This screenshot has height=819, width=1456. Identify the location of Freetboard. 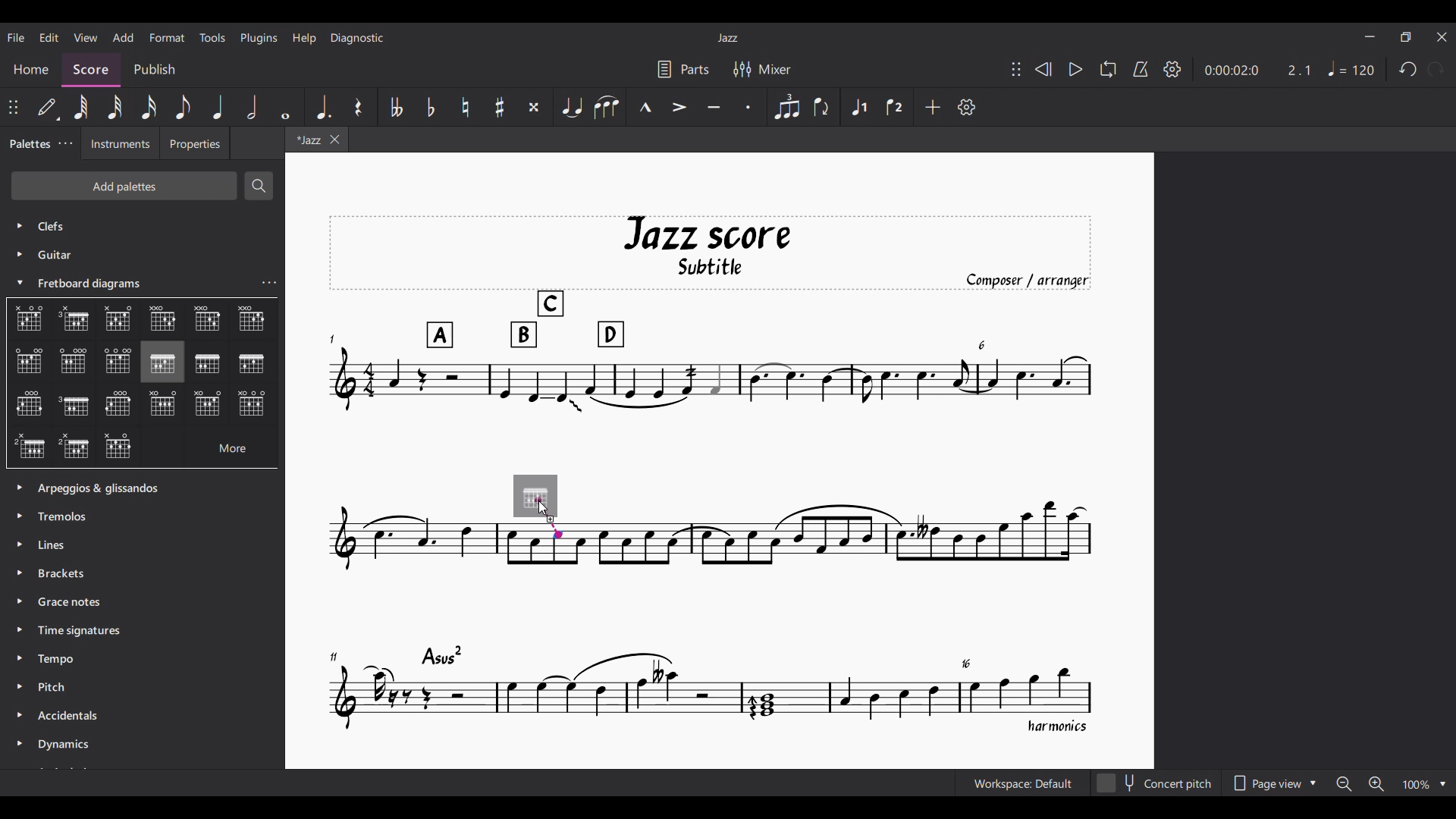
(97, 284).